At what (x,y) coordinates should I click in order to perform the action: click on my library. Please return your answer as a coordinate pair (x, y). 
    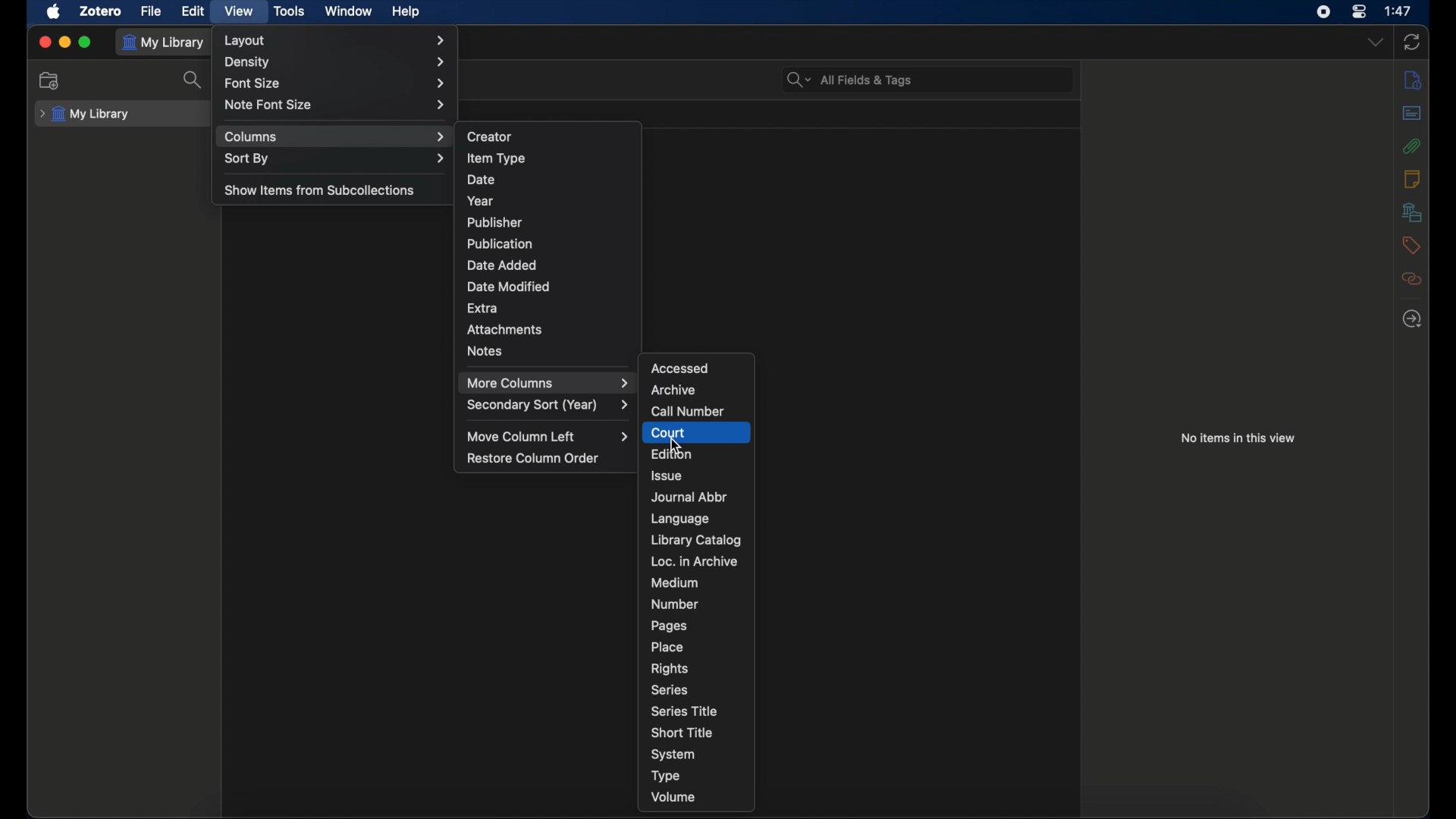
    Looking at the image, I should click on (88, 115).